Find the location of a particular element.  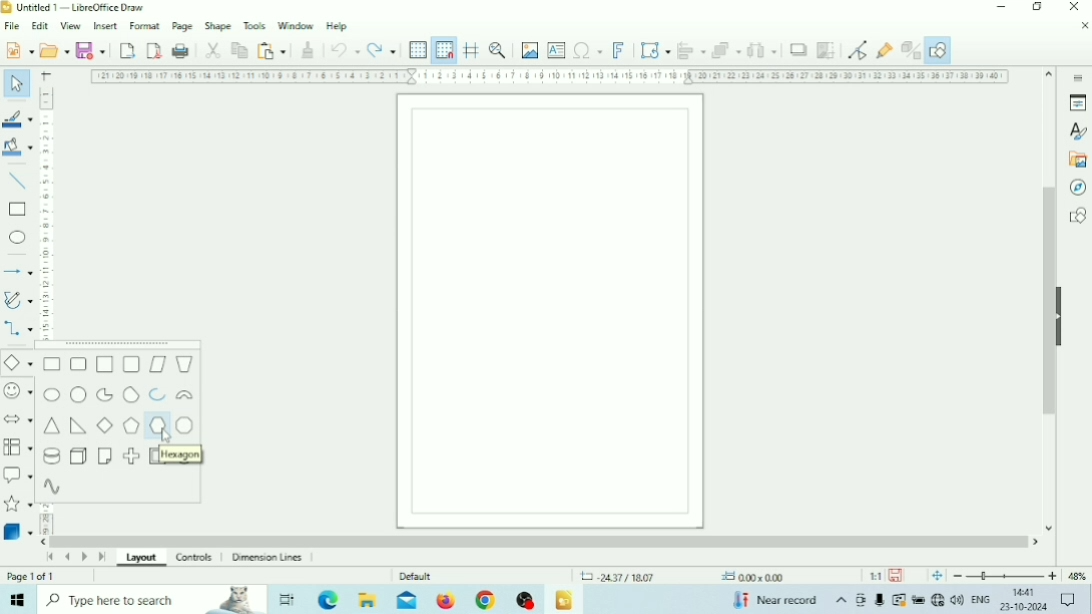

Ellipse is located at coordinates (17, 237).